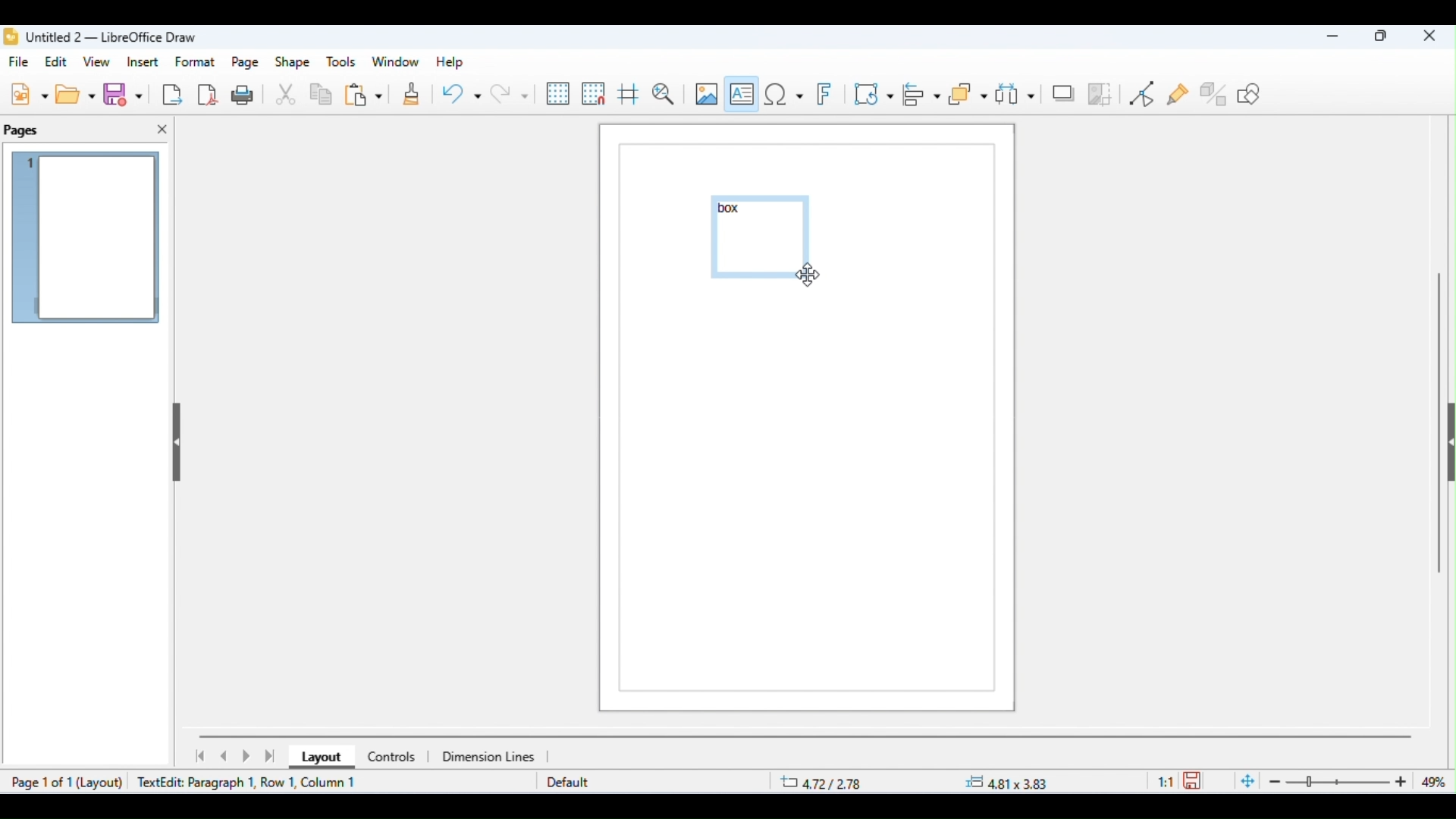 Image resolution: width=1456 pixels, height=819 pixels. I want to click on added text, so click(733, 209).